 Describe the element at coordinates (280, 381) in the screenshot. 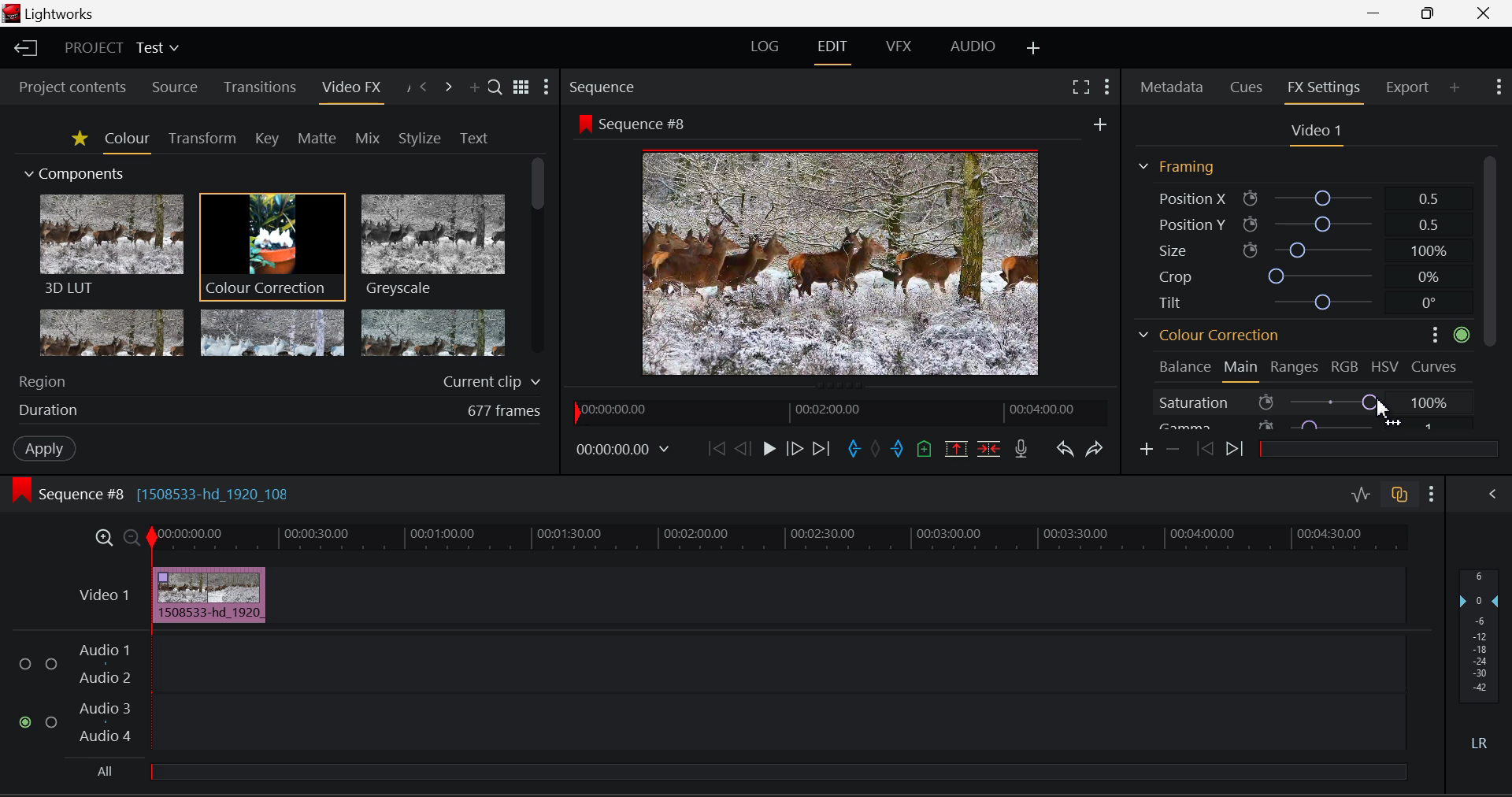

I see `Region` at that location.